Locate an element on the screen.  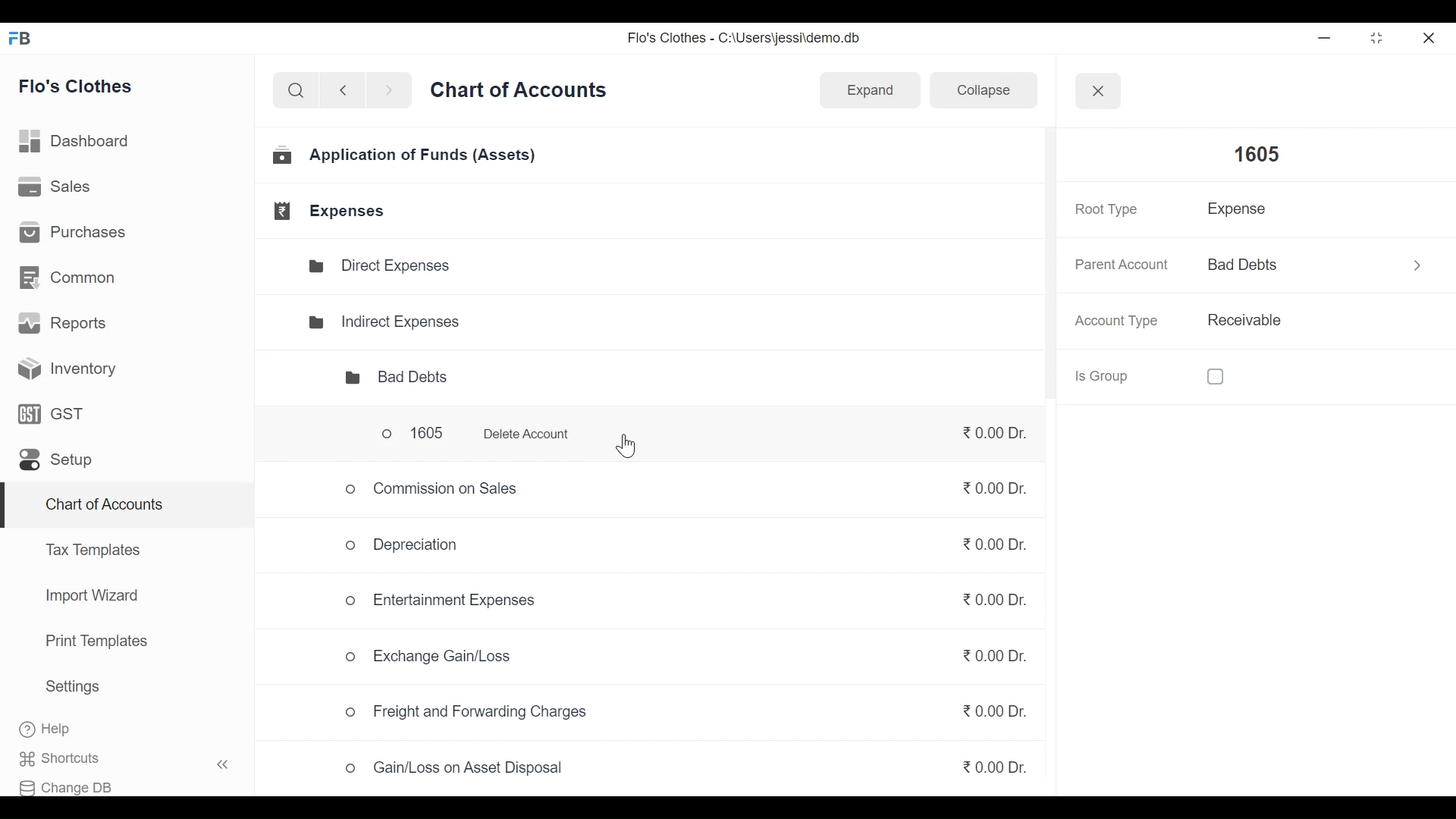
Application of Funds (Assets) is located at coordinates (406, 158).